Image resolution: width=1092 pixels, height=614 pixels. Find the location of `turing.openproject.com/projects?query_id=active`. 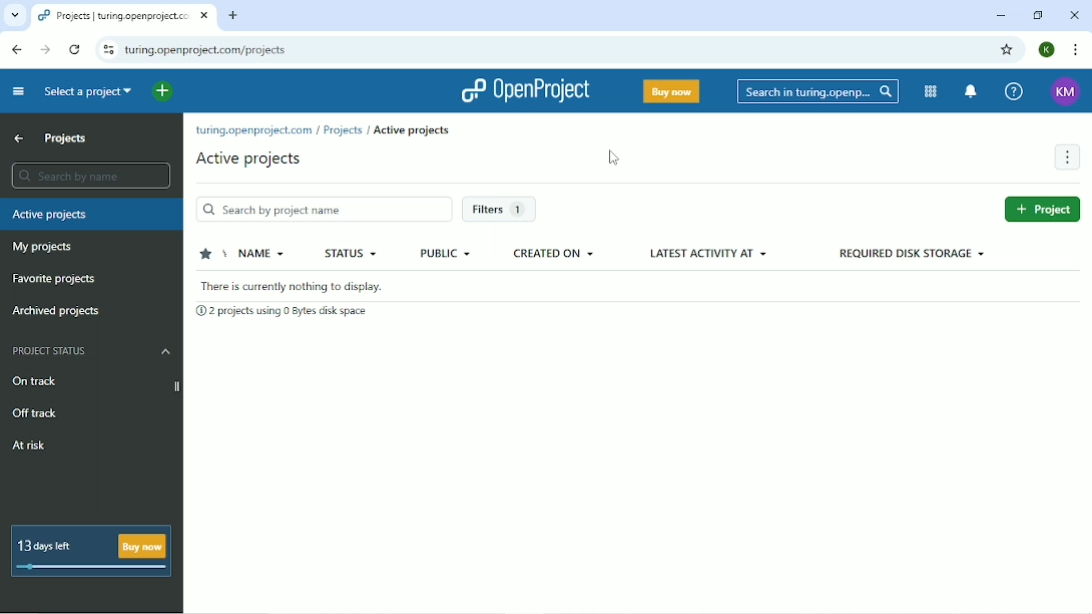

turing.openproject.com/projects?query_id=active is located at coordinates (263, 51).